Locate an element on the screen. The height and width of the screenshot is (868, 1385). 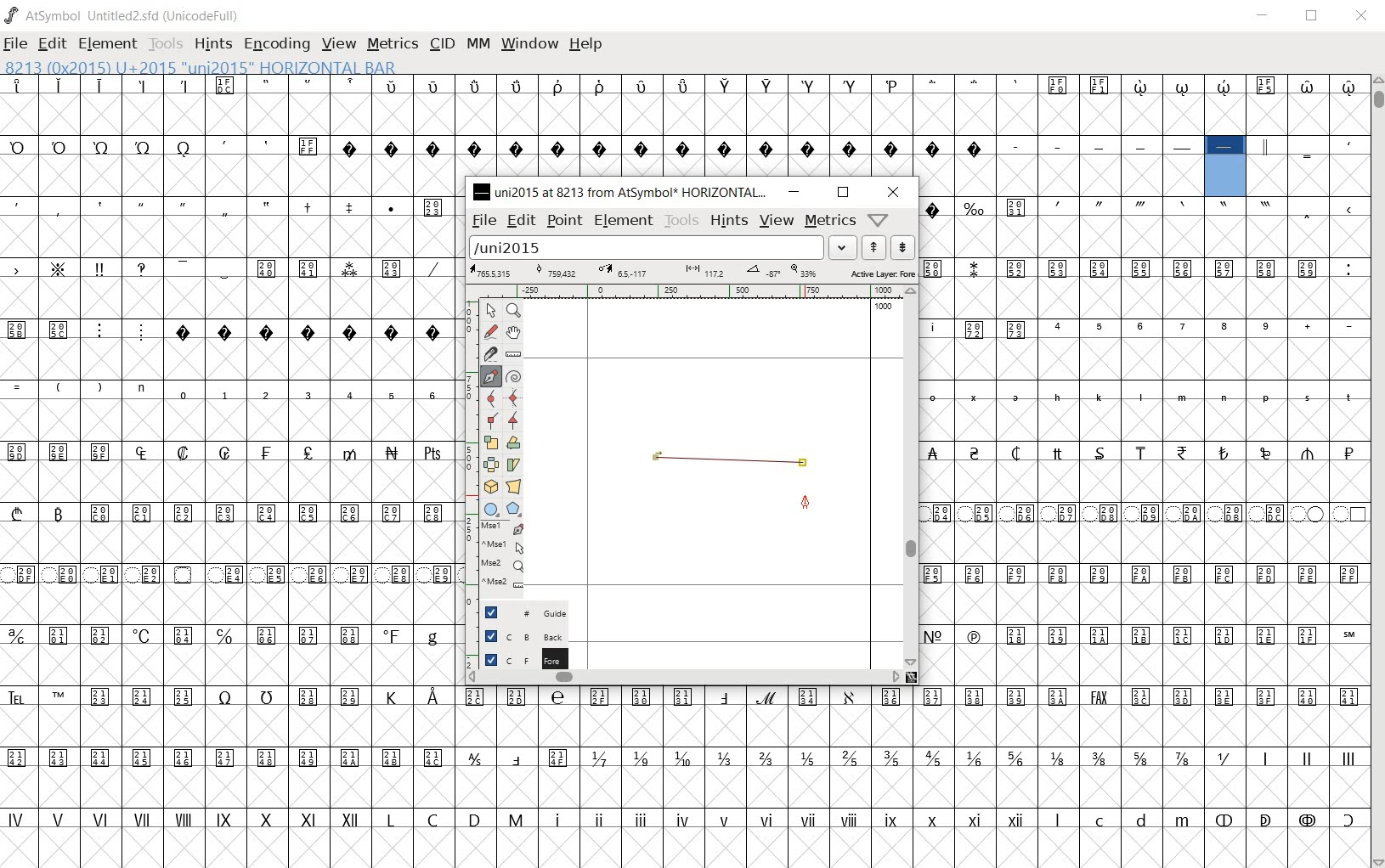
added point is located at coordinates (657, 461).